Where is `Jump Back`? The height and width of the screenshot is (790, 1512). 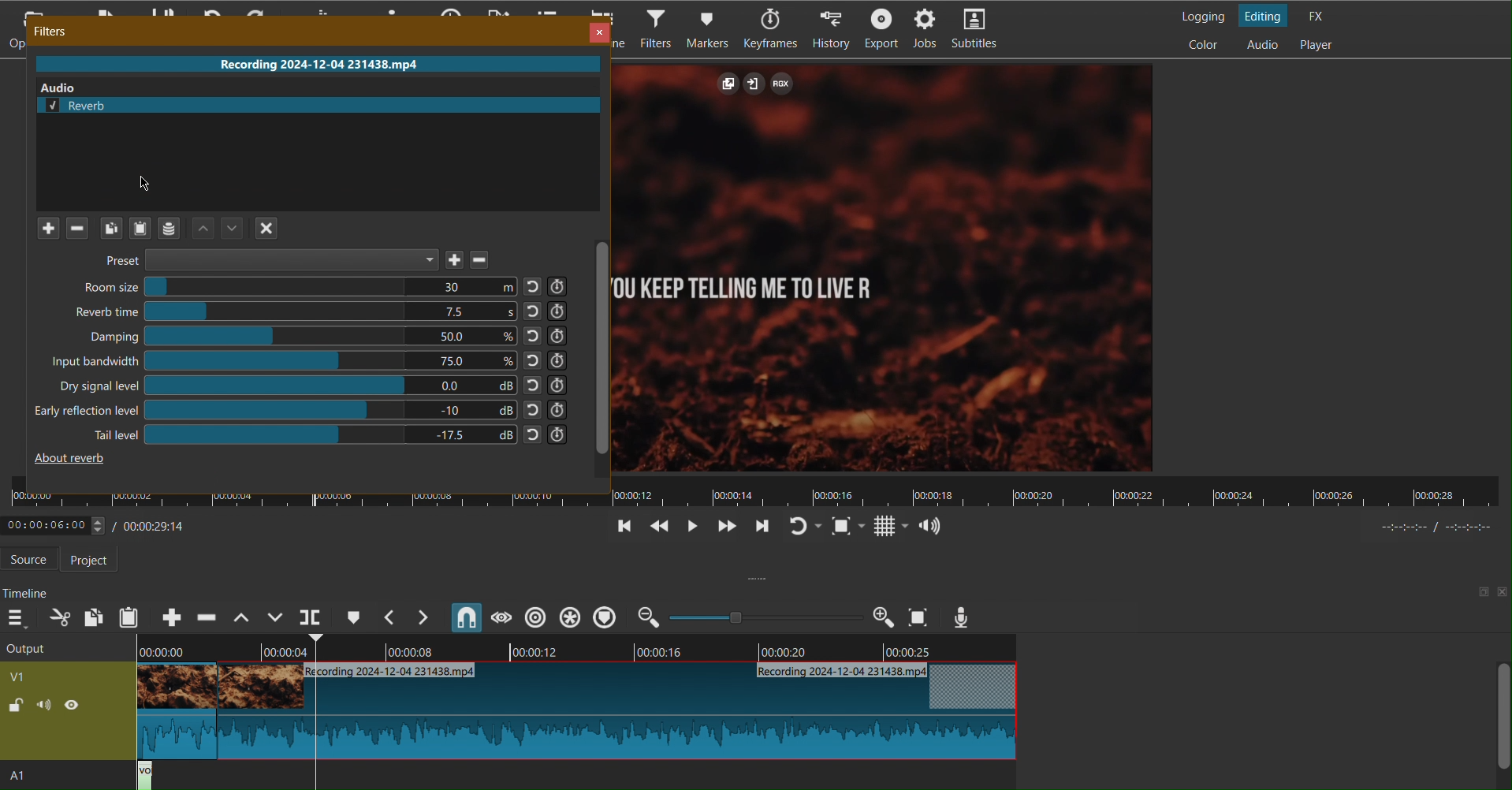 Jump Back is located at coordinates (624, 527).